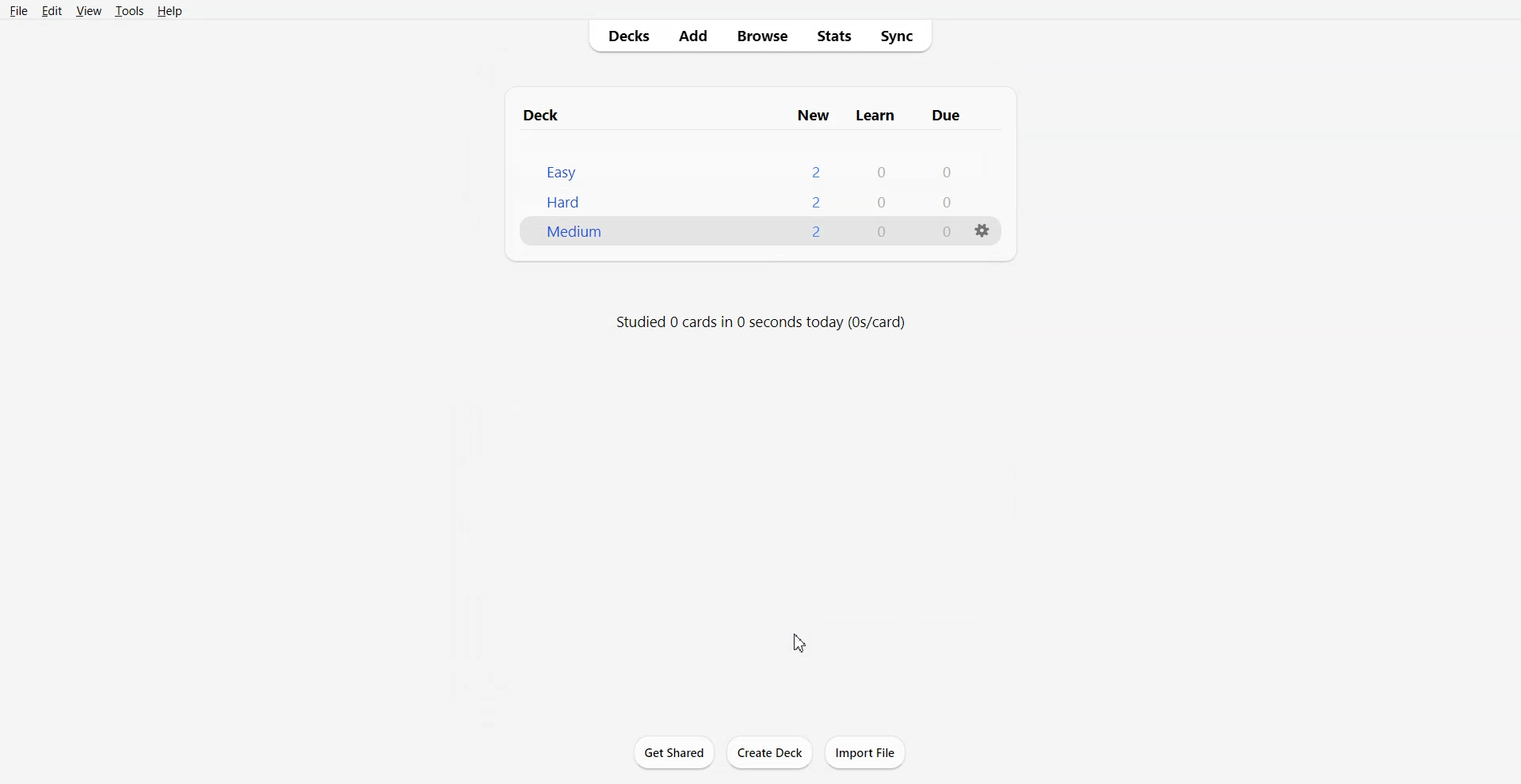  Describe the element at coordinates (623, 36) in the screenshot. I see `Decks` at that location.